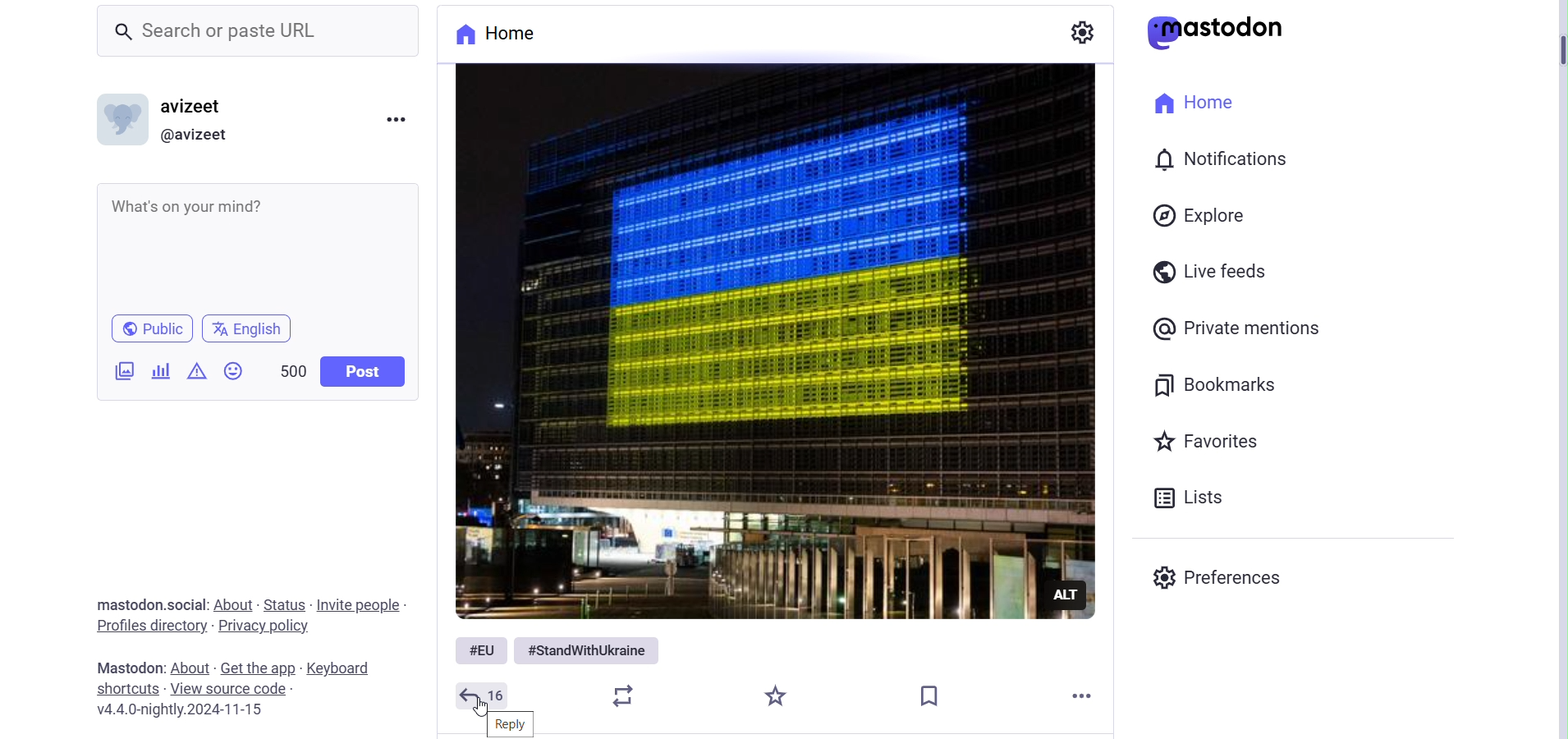 Image resolution: width=1568 pixels, height=739 pixels. What do you see at coordinates (1216, 579) in the screenshot?
I see `preferences` at bounding box center [1216, 579].